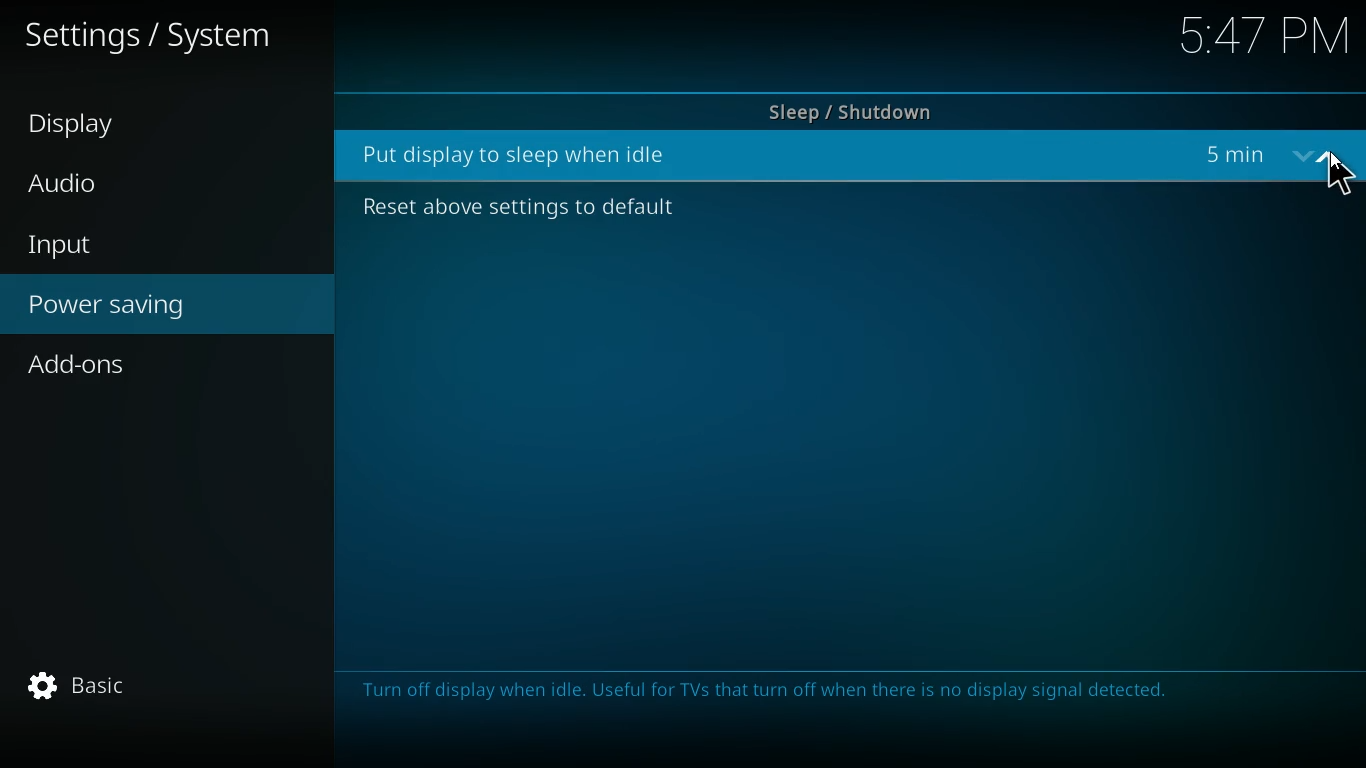 This screenshot has width=1366, height=768. Describe the element at coordinates (848, 106) in the screenshot. I see `sleep / shutdown` at that location.